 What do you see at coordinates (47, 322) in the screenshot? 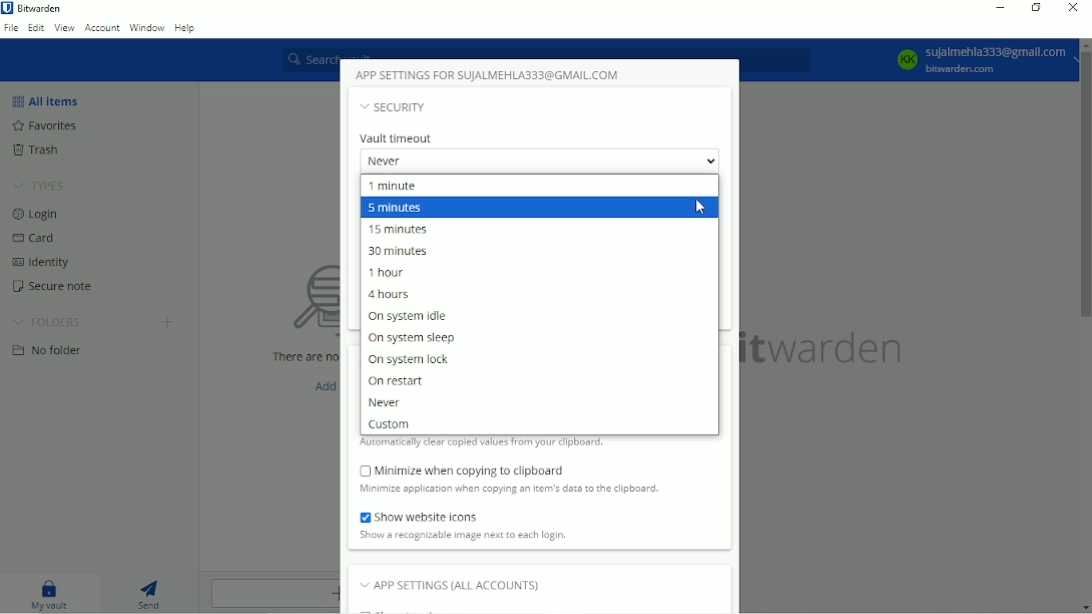
I see `Folders` at bounding box center [47, 322].